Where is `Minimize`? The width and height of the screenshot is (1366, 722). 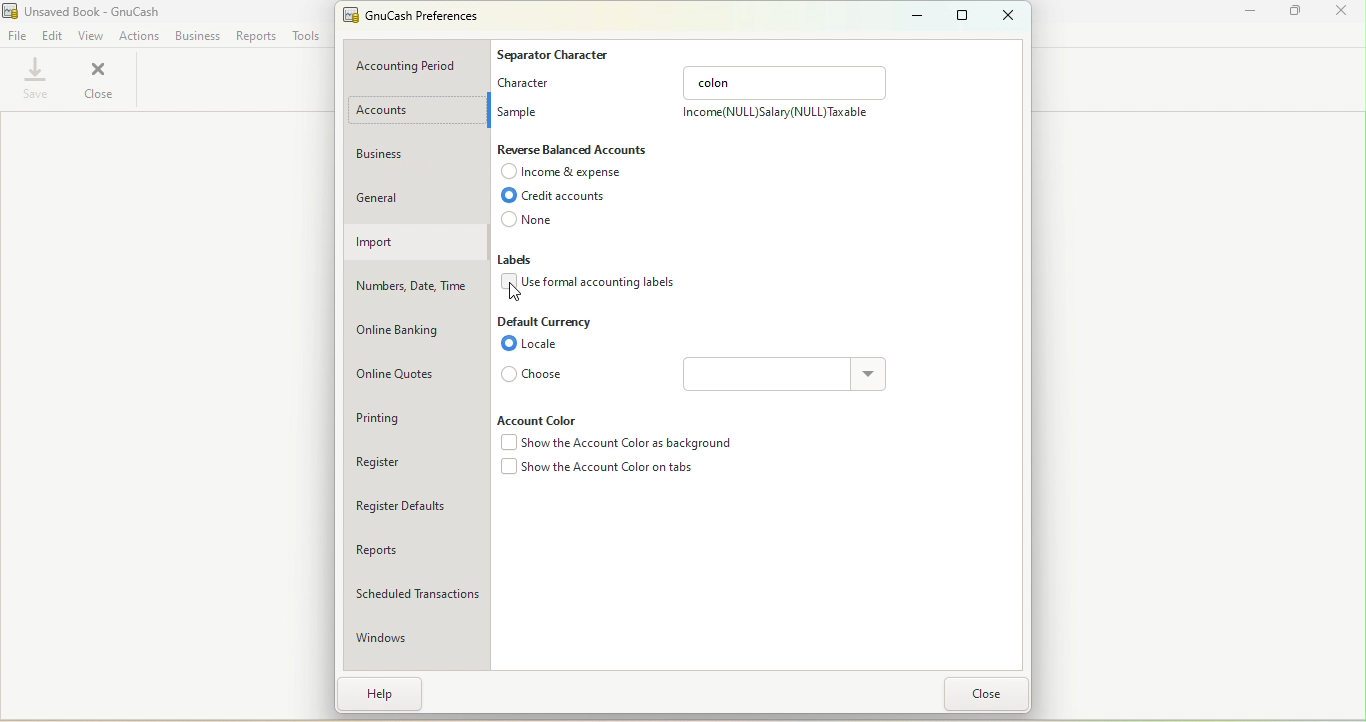 Minimize is located at coordinates (1243, 13).